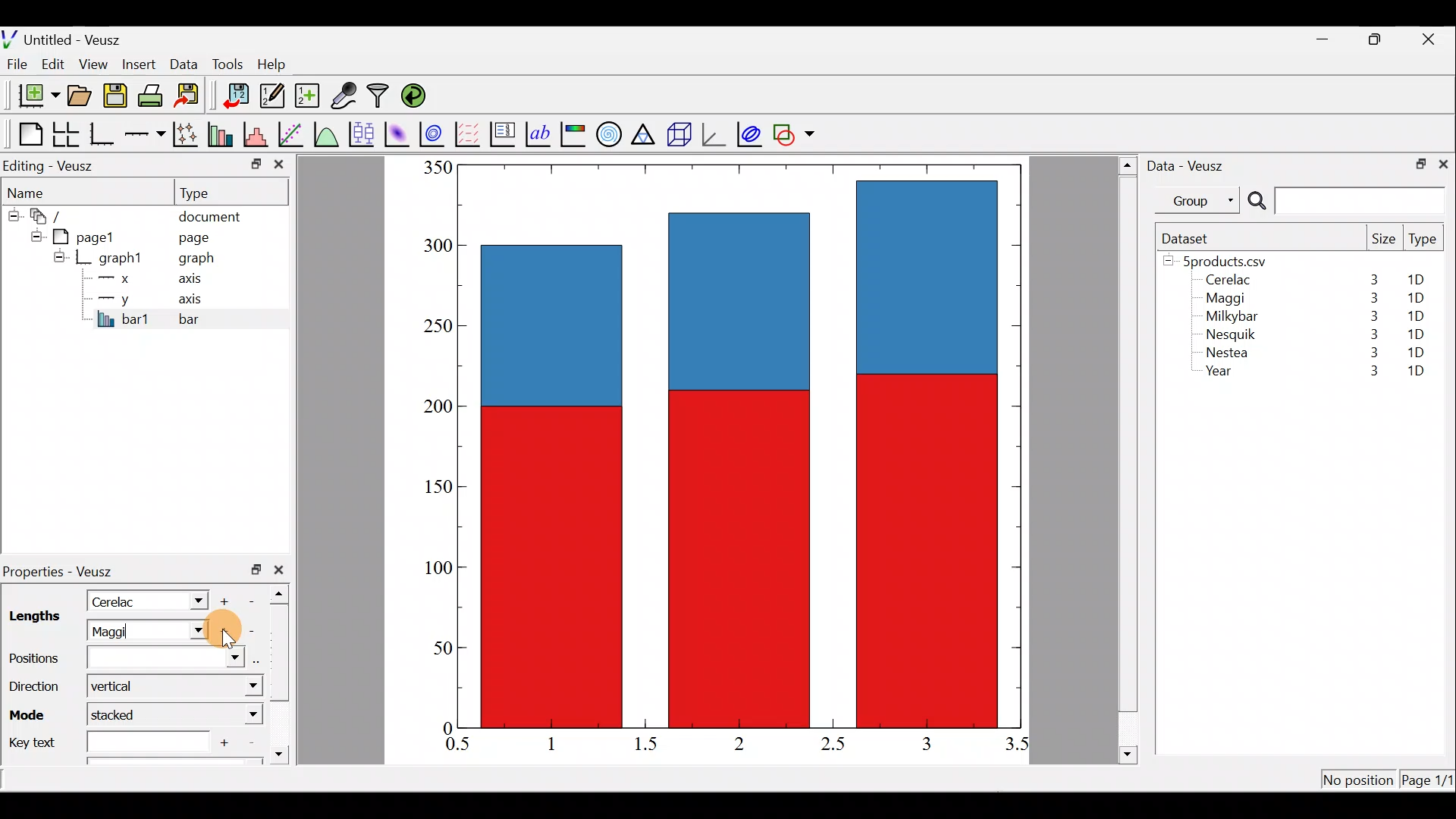  Describe the element at coordinates (281, 64) in the screenshot. I see `Help` at that location.